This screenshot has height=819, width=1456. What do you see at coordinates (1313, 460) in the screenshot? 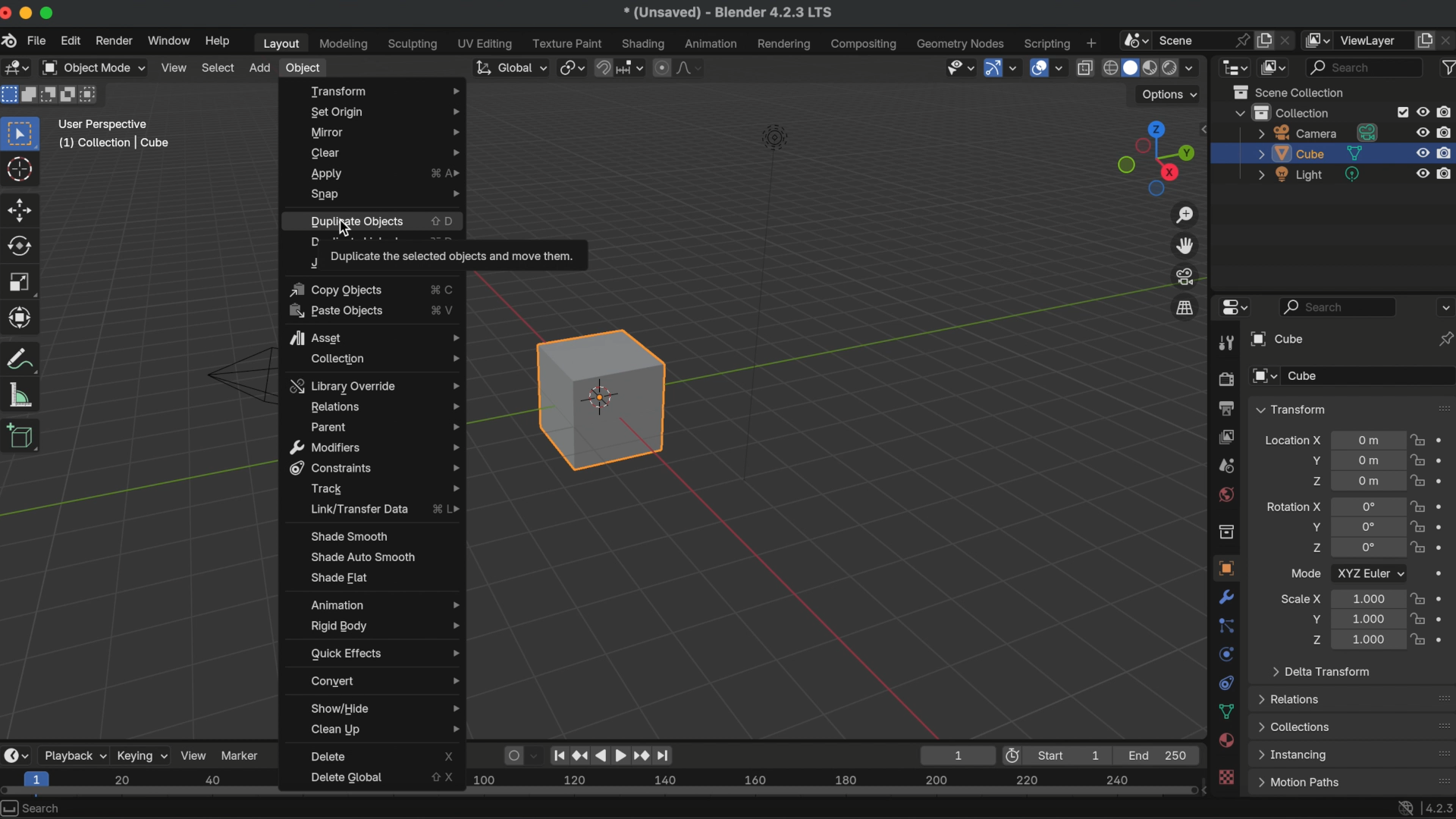
I see `location Y` at bounding box center [1313, 460].